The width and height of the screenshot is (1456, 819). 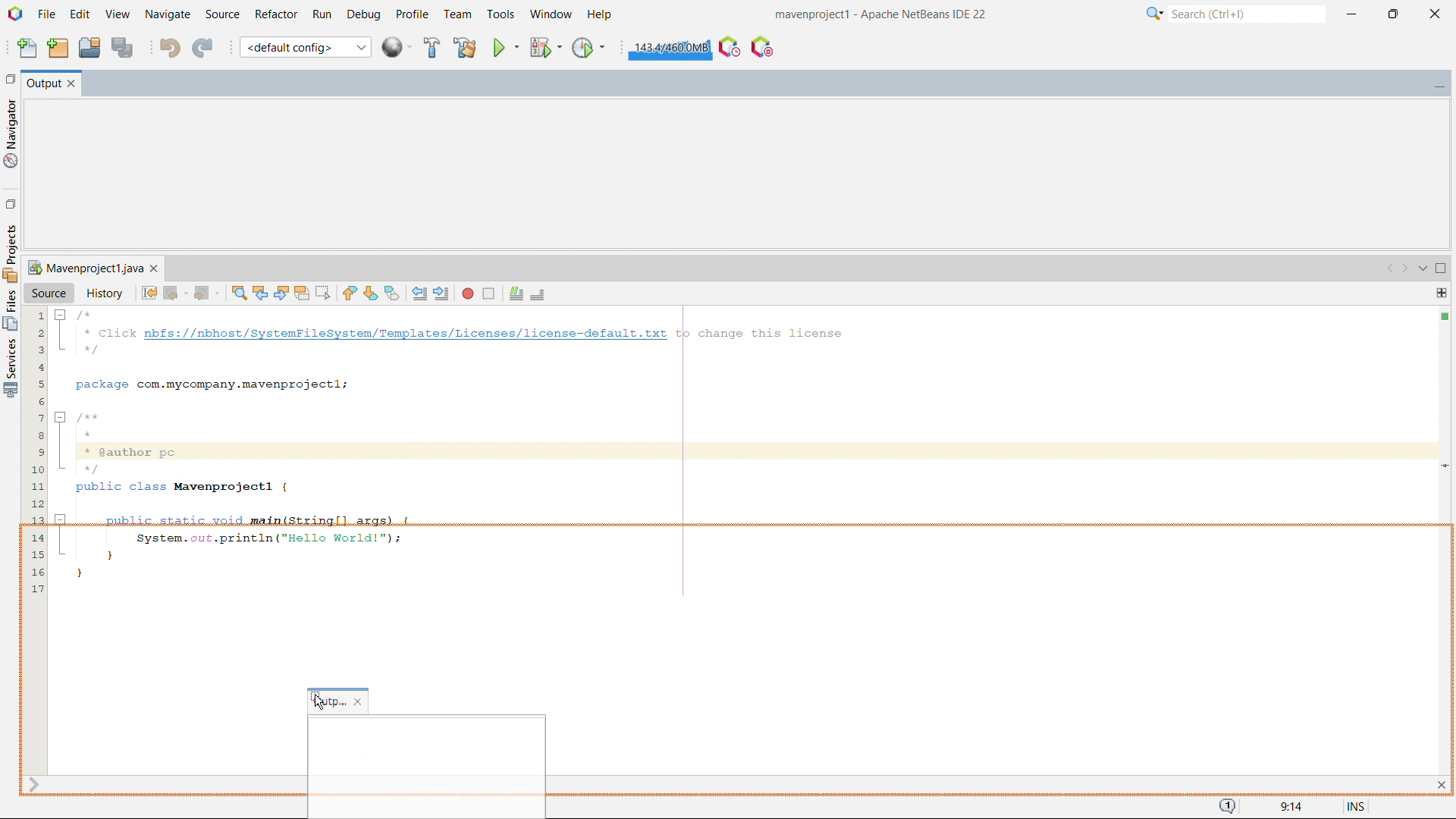 What do you see at coordinates (412, 15) in the screenshot?
I see `profile` at bounding box center [412, 15].